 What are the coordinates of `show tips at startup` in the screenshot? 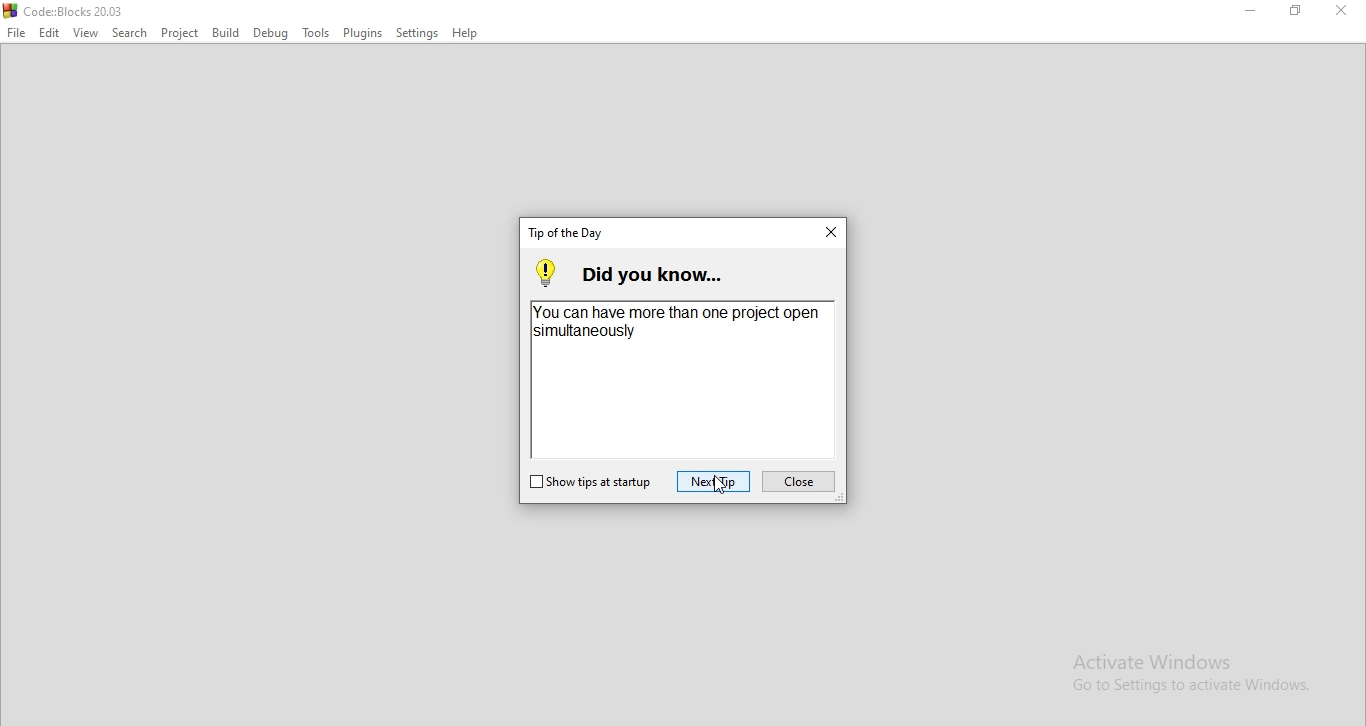 It's located at (589, 483).